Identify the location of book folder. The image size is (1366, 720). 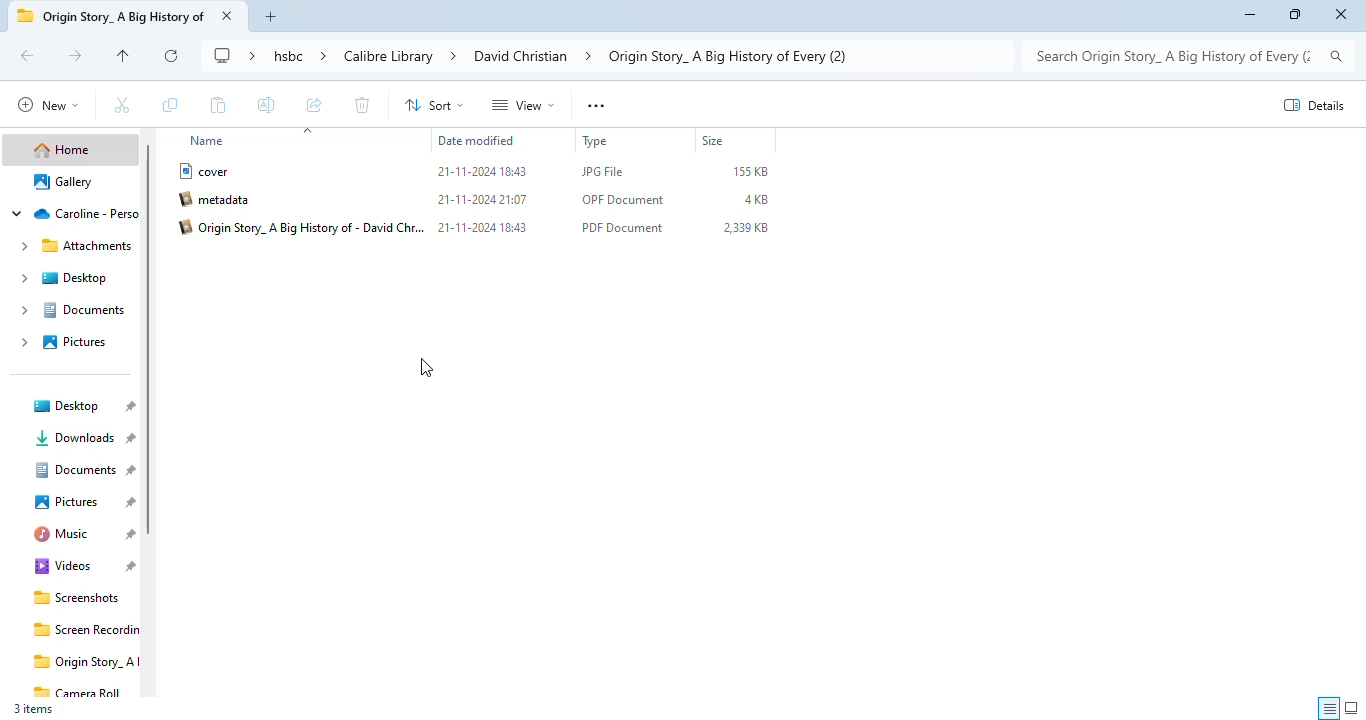
(111, 16).